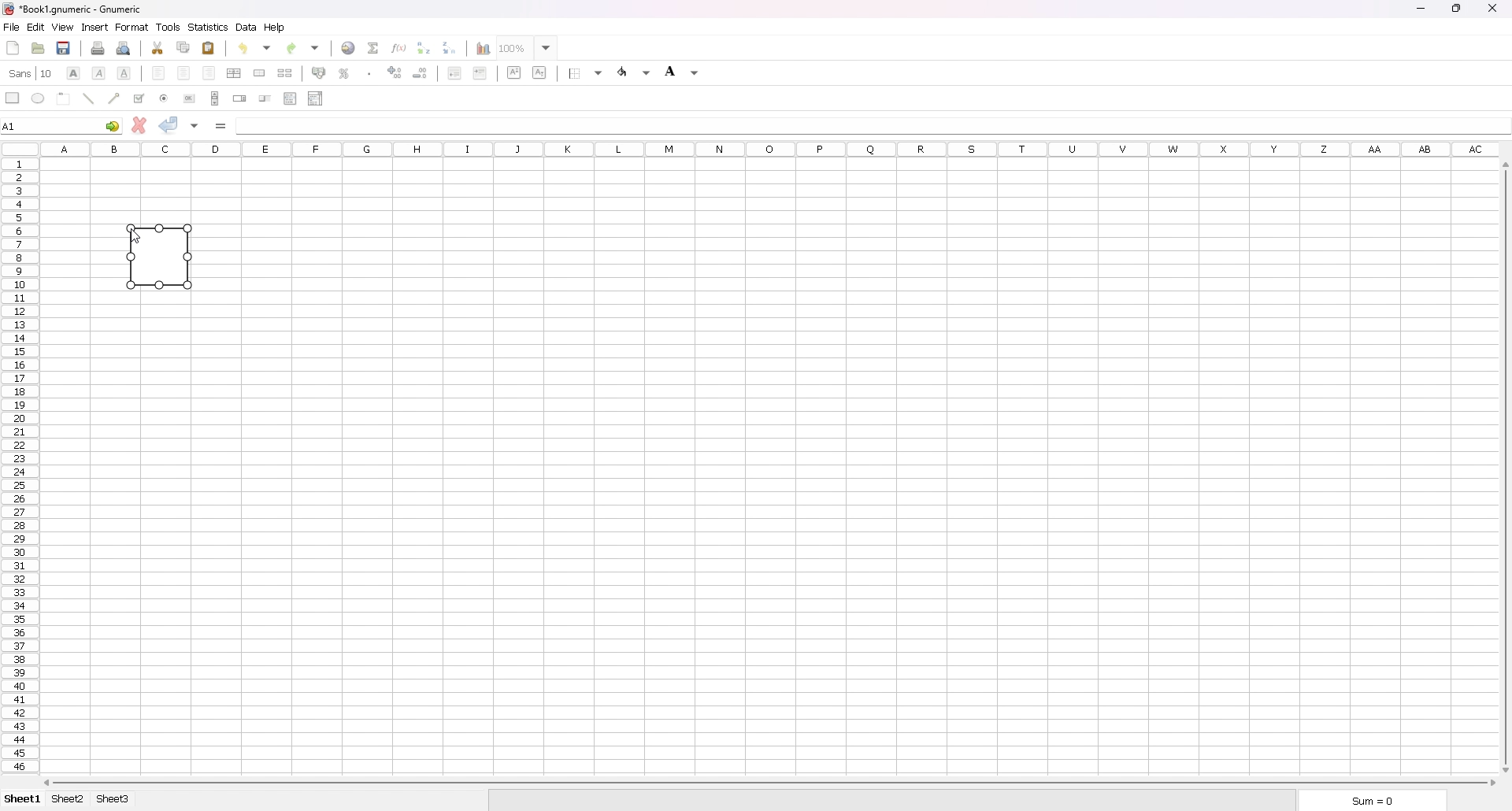  I want to click on new, so click(13, 47).